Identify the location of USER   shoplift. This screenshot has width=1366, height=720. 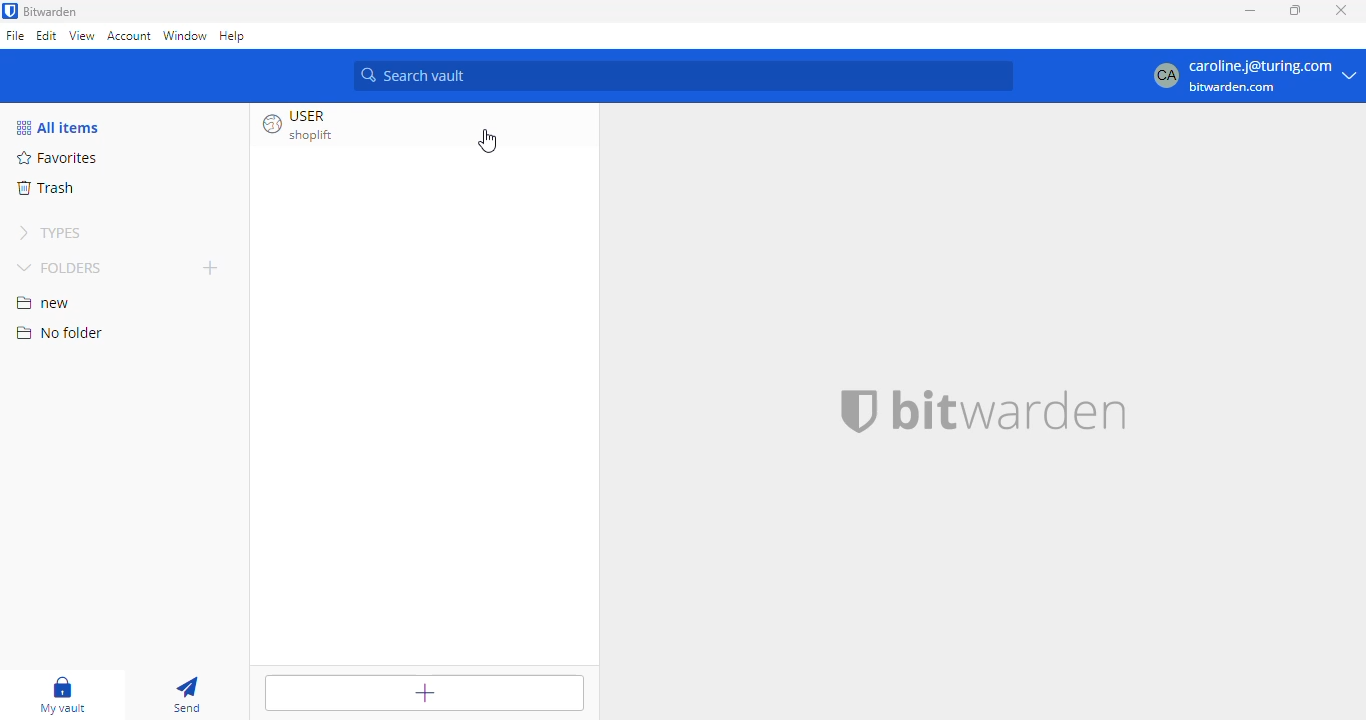
(323, 126).